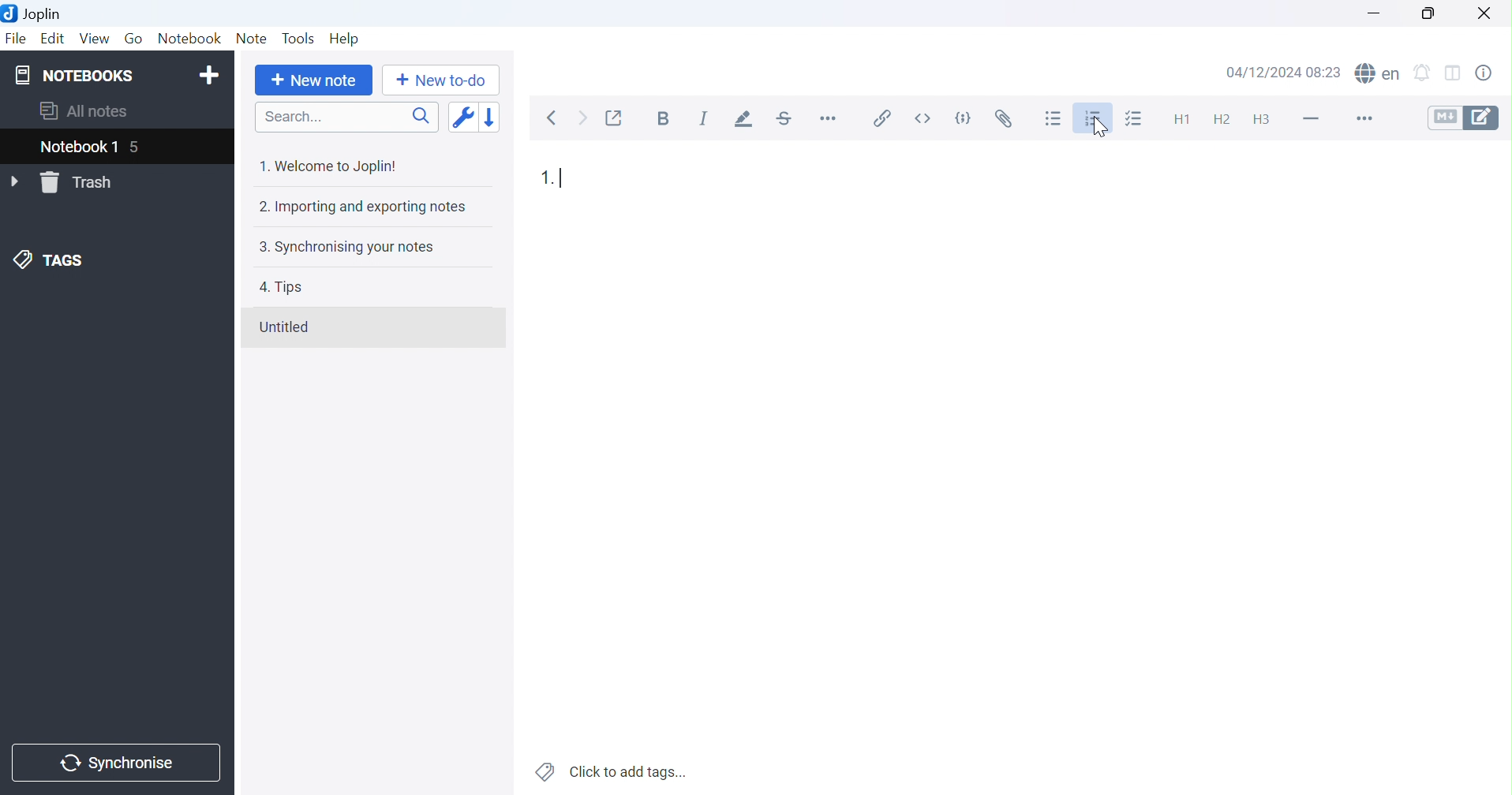 The image size is (1512, 795). Describe the element at coordinates (545, 179) in the screenshot. I see `1.` at that location.